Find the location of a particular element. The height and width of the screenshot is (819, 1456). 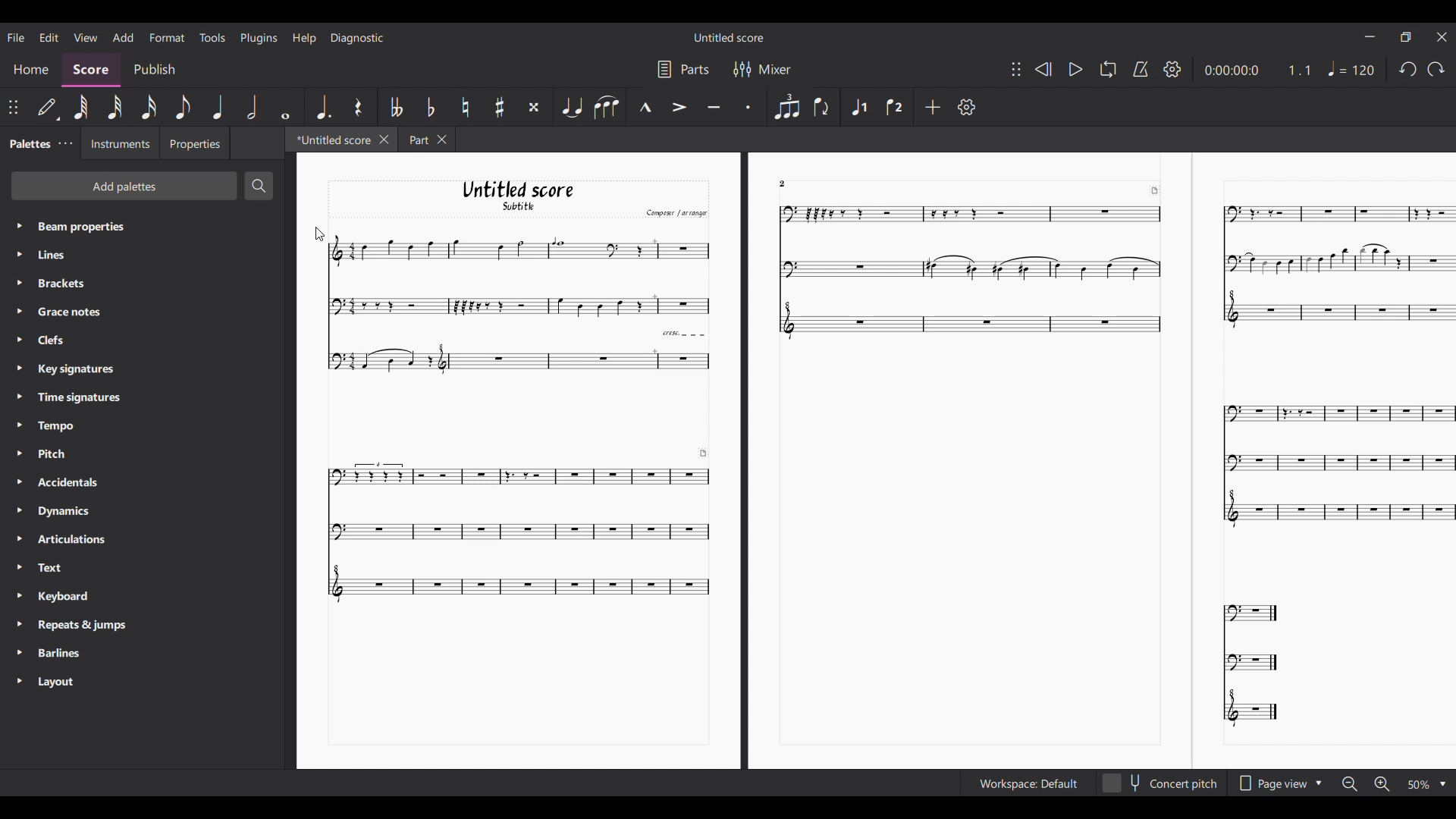

Play is located at coordinates (1075, 70).